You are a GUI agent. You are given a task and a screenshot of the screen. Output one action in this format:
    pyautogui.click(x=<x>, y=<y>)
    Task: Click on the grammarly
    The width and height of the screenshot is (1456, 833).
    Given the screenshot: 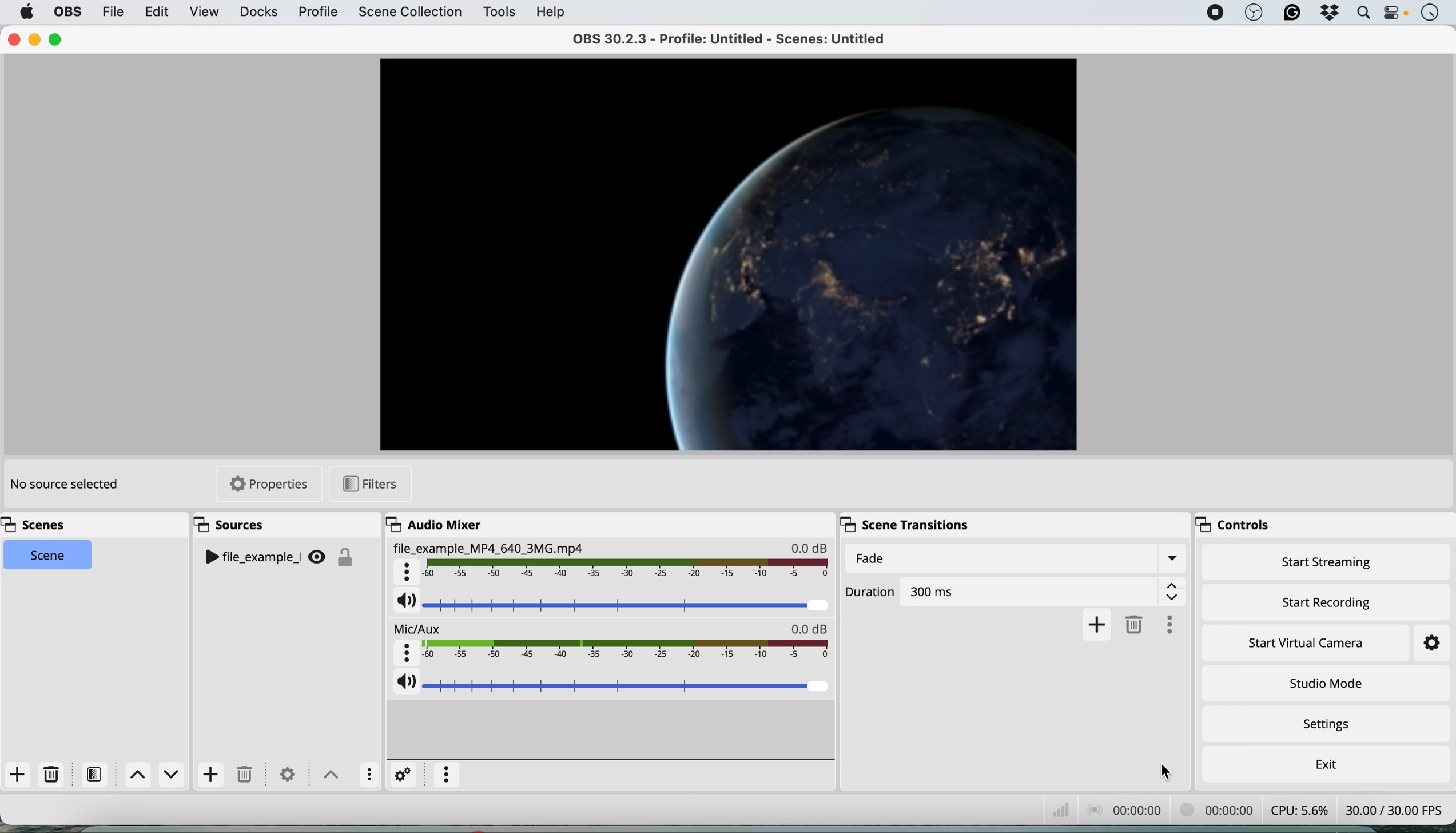 What is the action you would take?
    pyautogui.click(x=1291, y=14)
    